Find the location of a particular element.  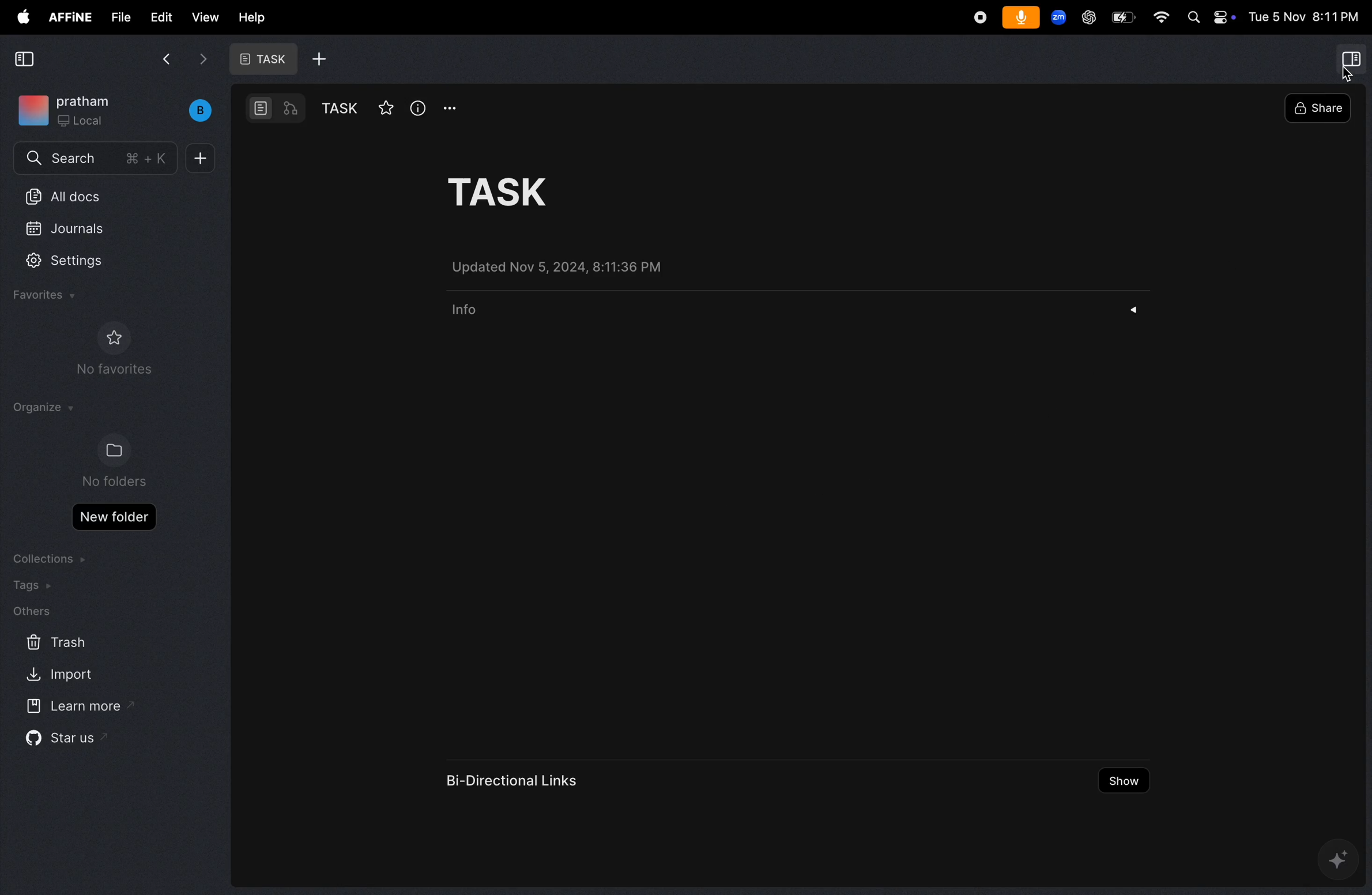

trash is located at coordinates (54, 643).